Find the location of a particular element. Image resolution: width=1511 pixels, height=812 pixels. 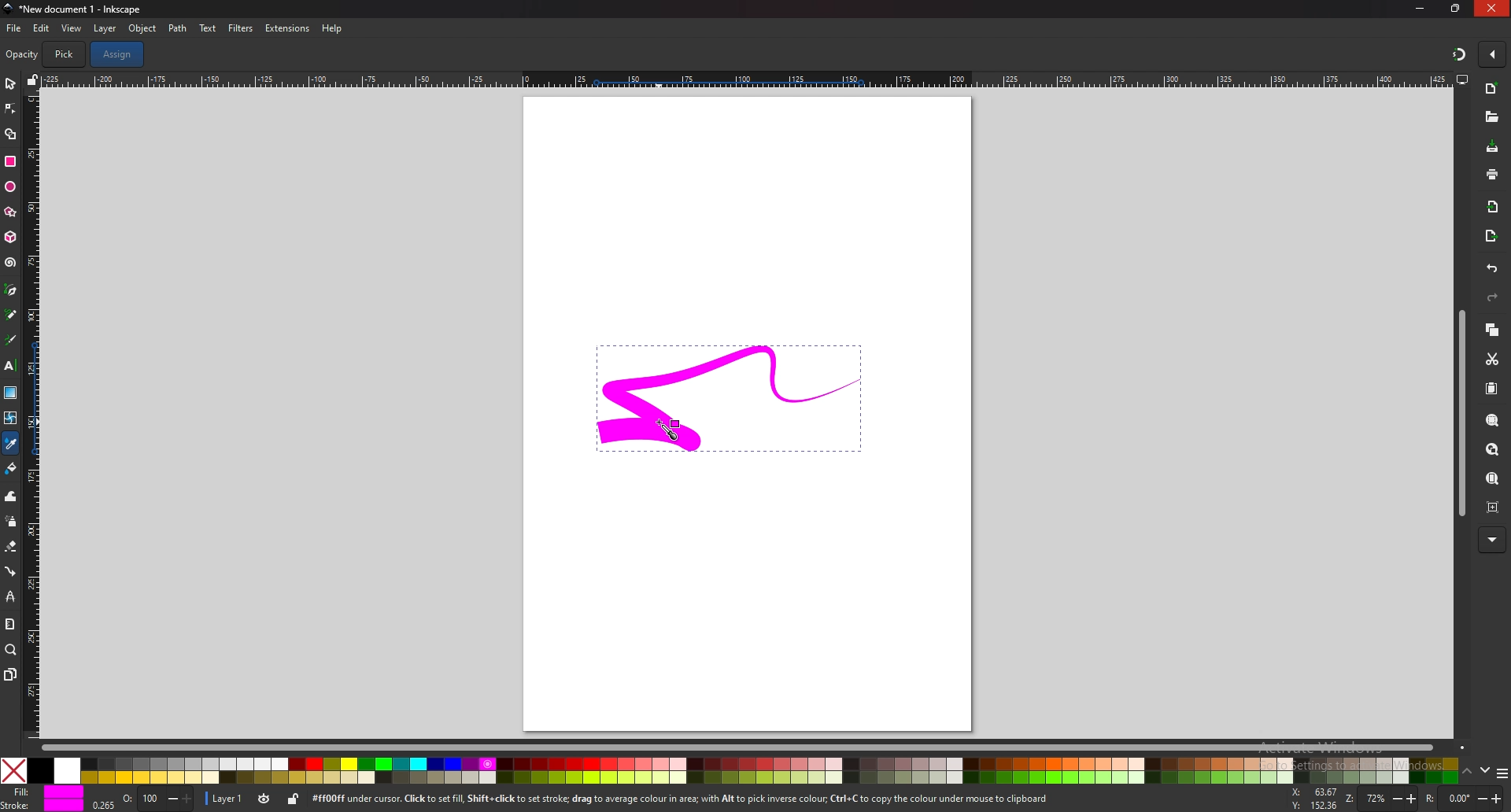

horizontal scale is located at coordinates (744, 79).